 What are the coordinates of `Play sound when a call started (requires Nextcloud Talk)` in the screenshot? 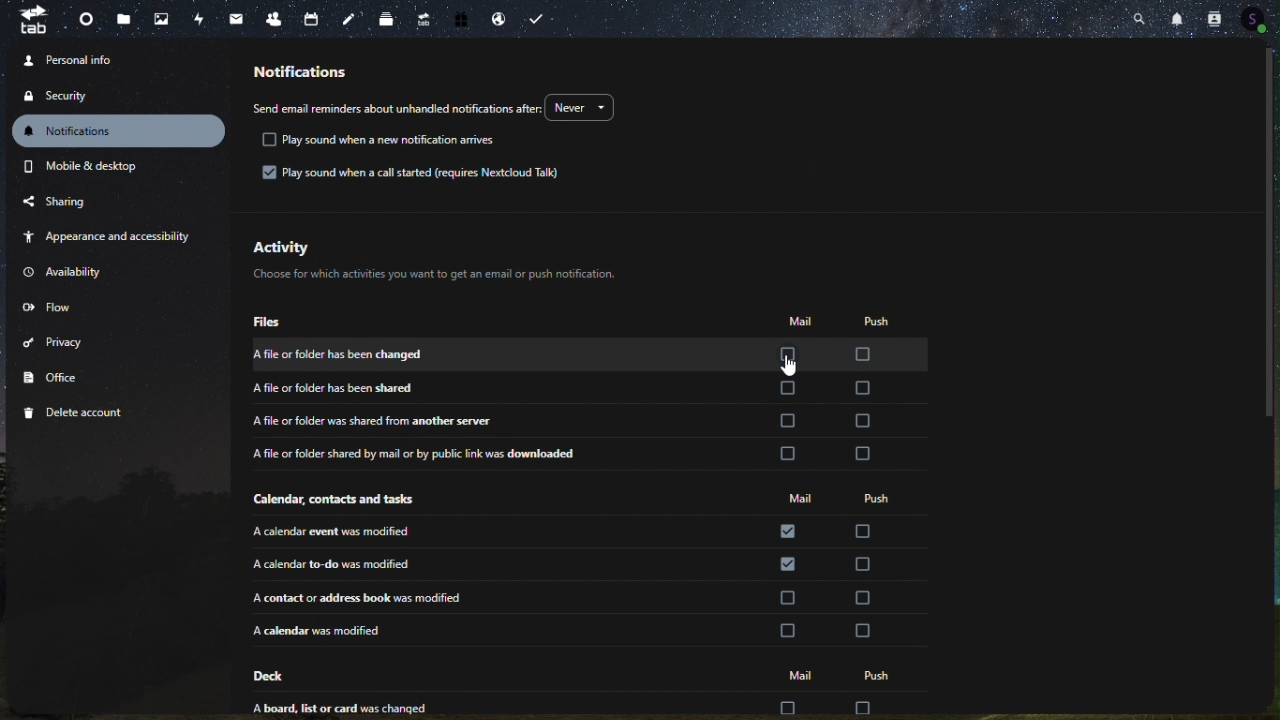 It's located at (430, 173).